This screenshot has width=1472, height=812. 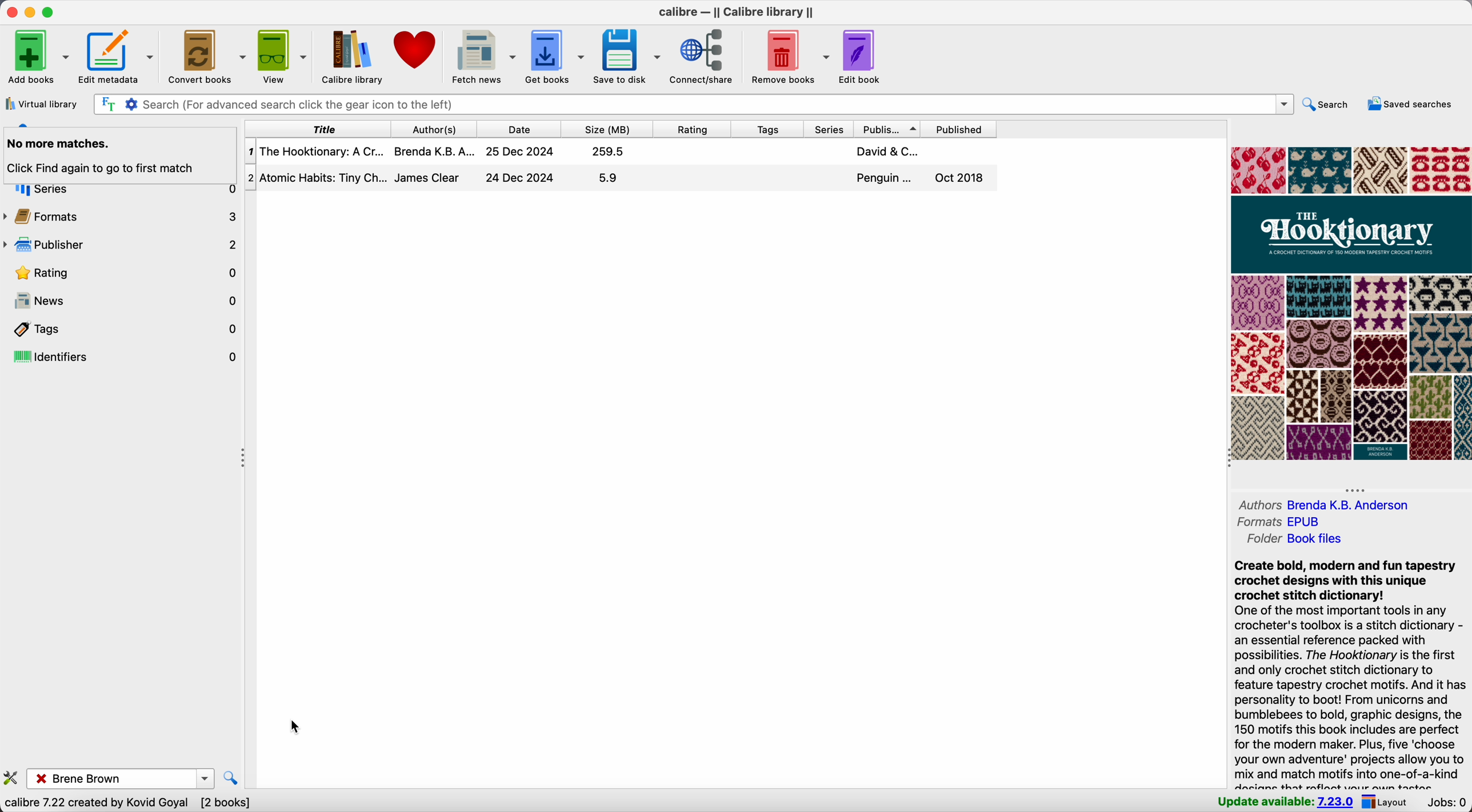 I want to click on minimize, so click(x=30, y=12).